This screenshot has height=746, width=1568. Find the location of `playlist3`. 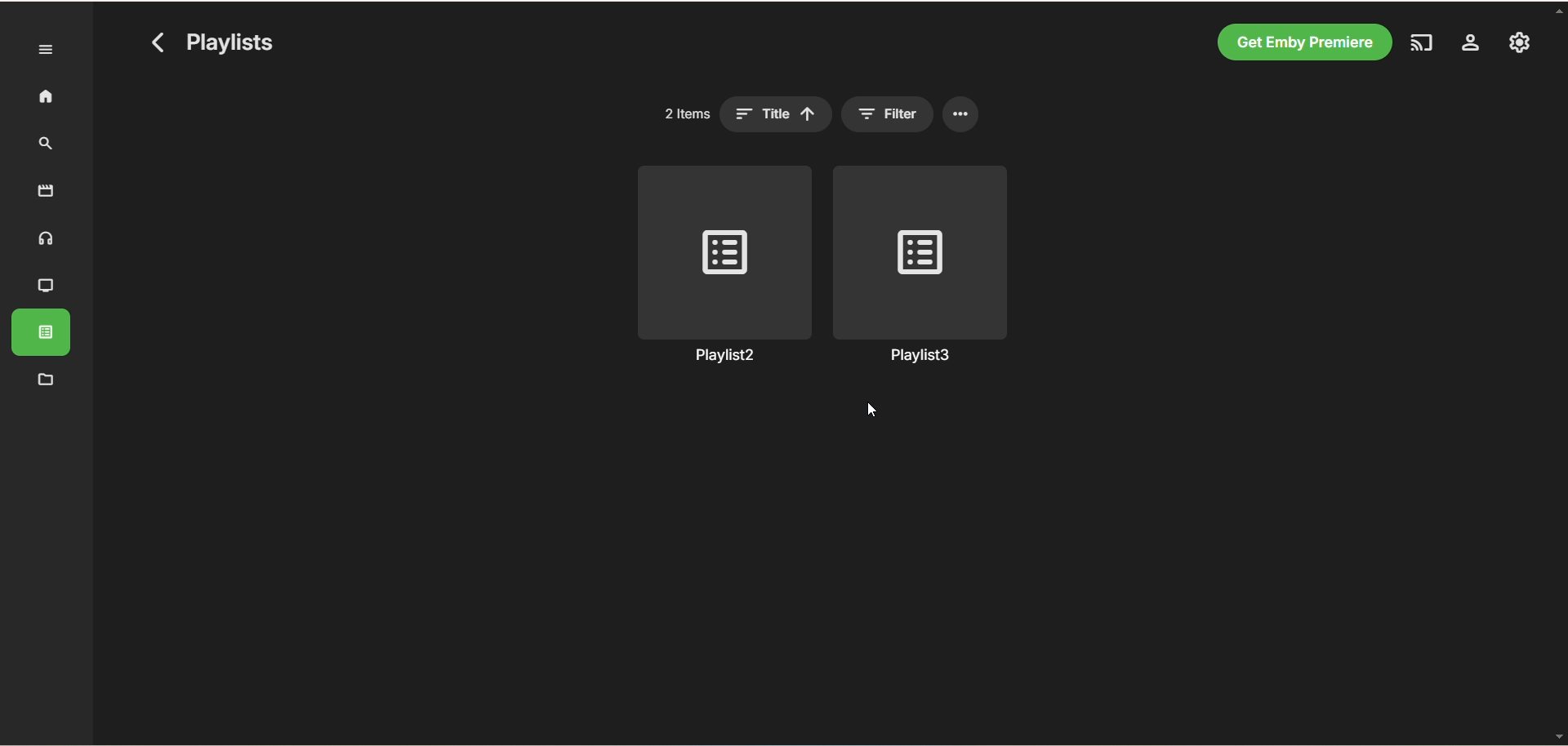

playlist3 is located at coordinates (920, 265).